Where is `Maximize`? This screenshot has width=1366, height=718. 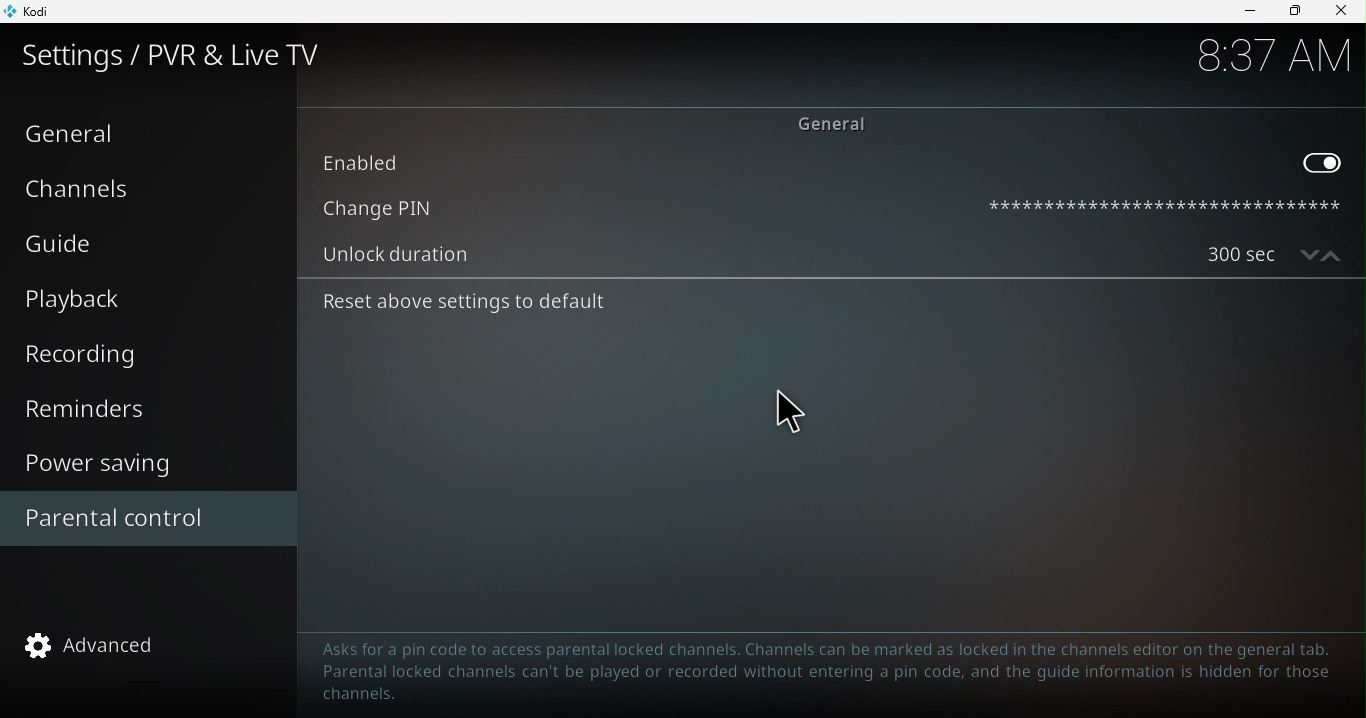
Maximize is located at coordinates (1294, 11).